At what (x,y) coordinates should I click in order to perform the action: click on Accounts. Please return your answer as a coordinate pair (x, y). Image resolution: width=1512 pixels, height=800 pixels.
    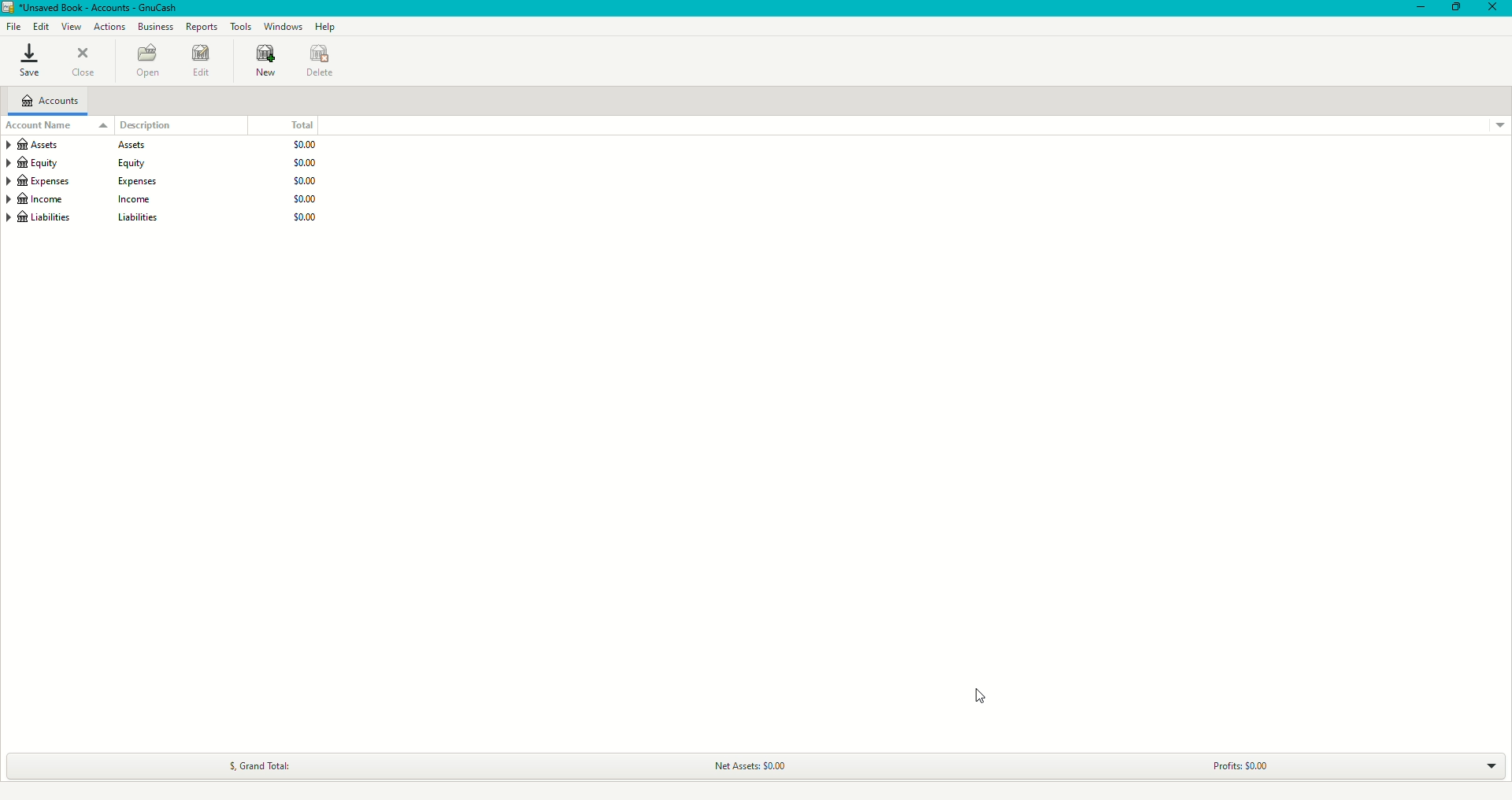
    Looking at the image, I should click on (48, 102).